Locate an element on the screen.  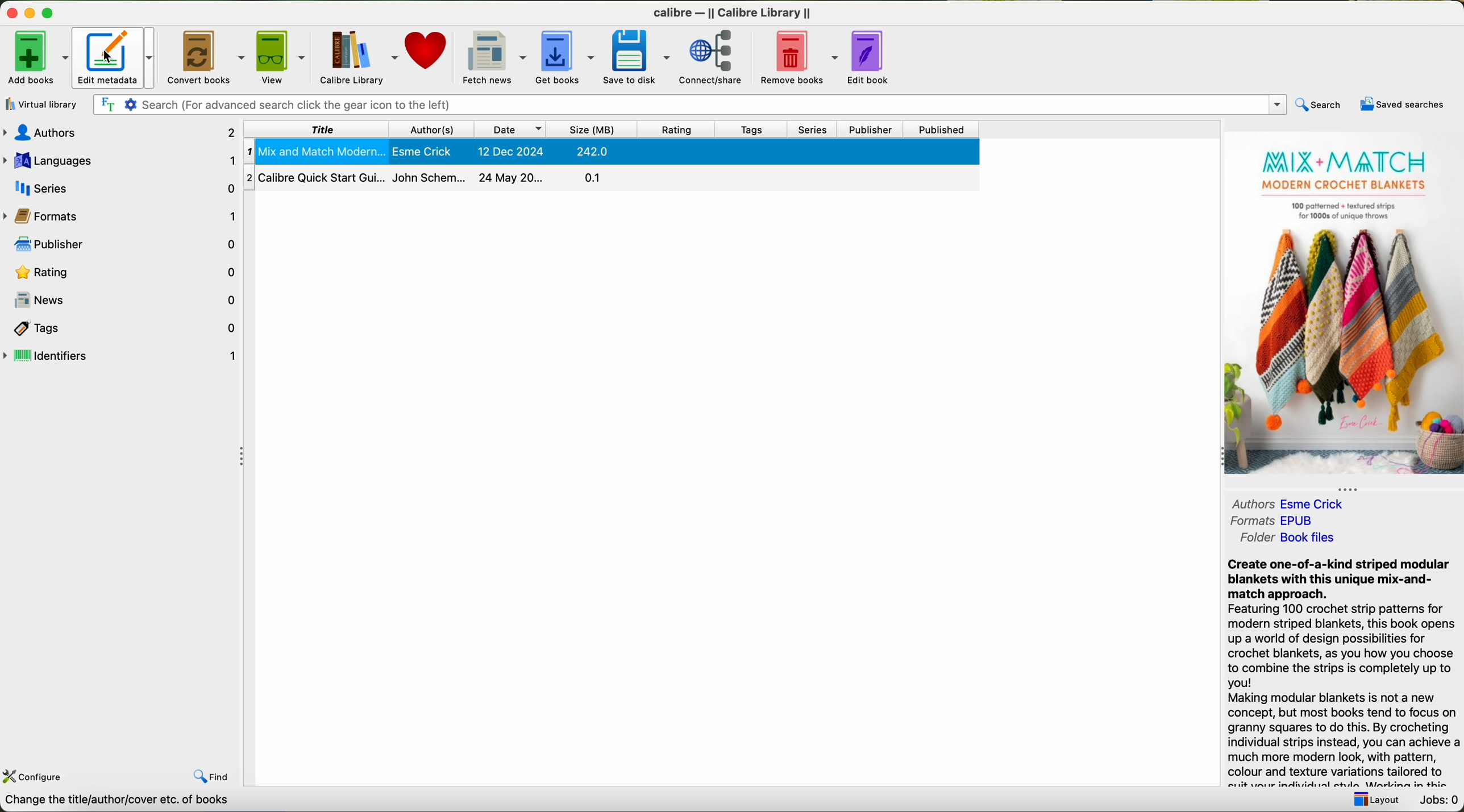
click on the first book is located at coordinates (612, 152).